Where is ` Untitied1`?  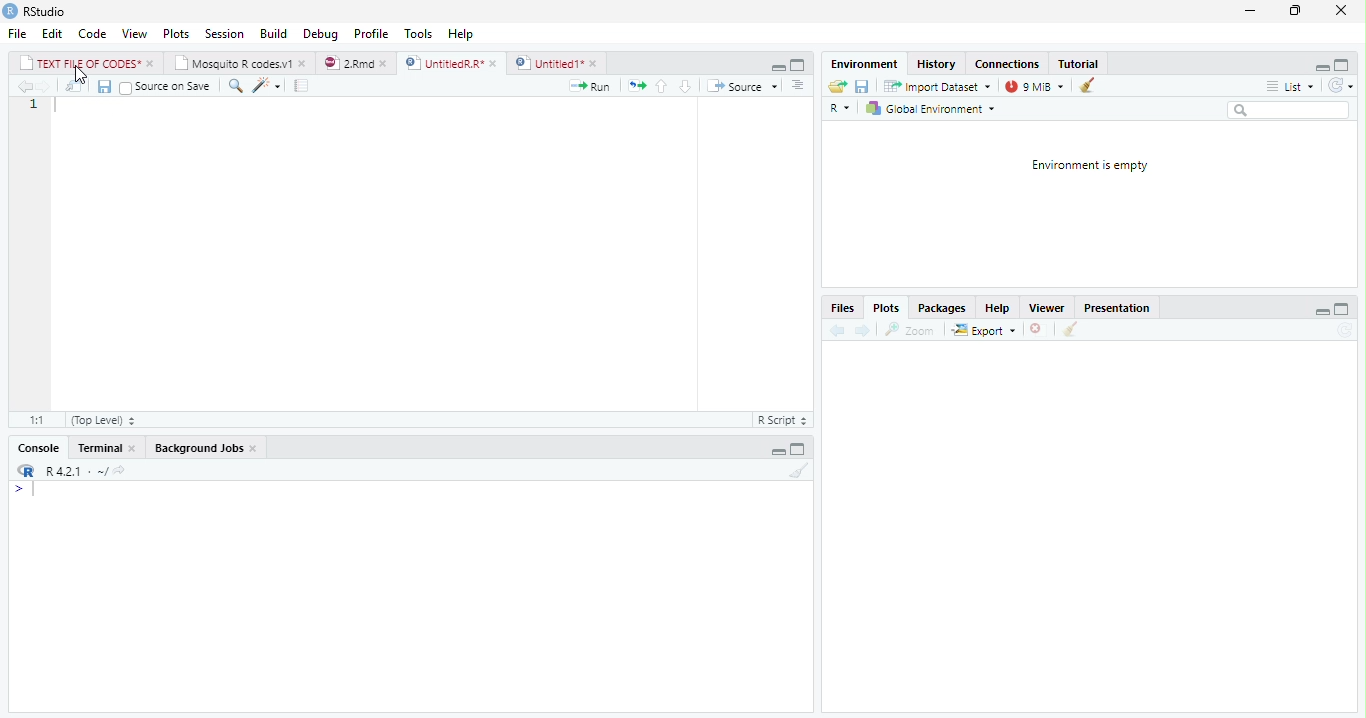  Untitied1 is located at coordinates (557, 63).